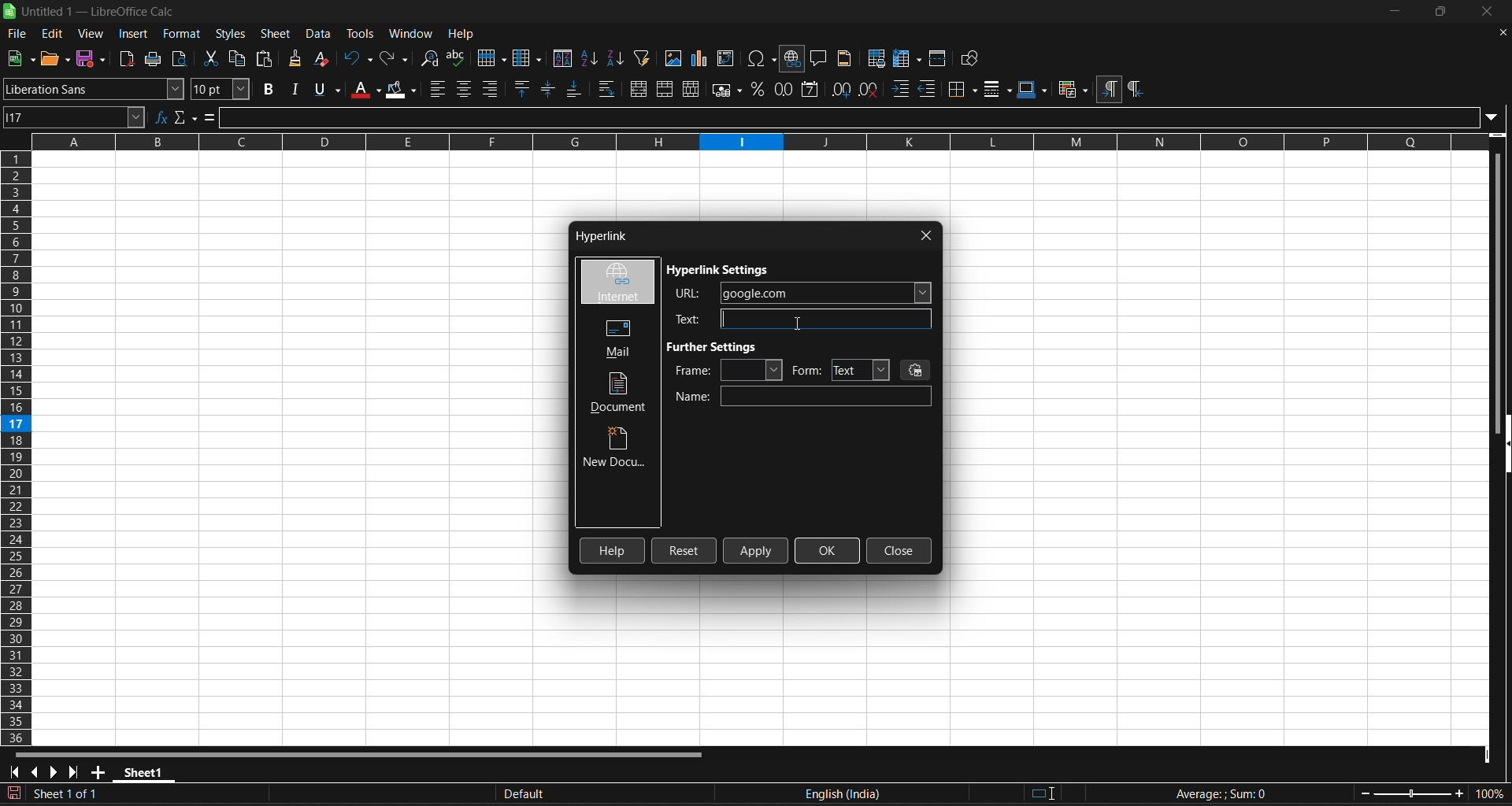  What do you see at coordinates (820, 57) in the screenshot?
I see `insert comment` at bounding box center [820, 57].